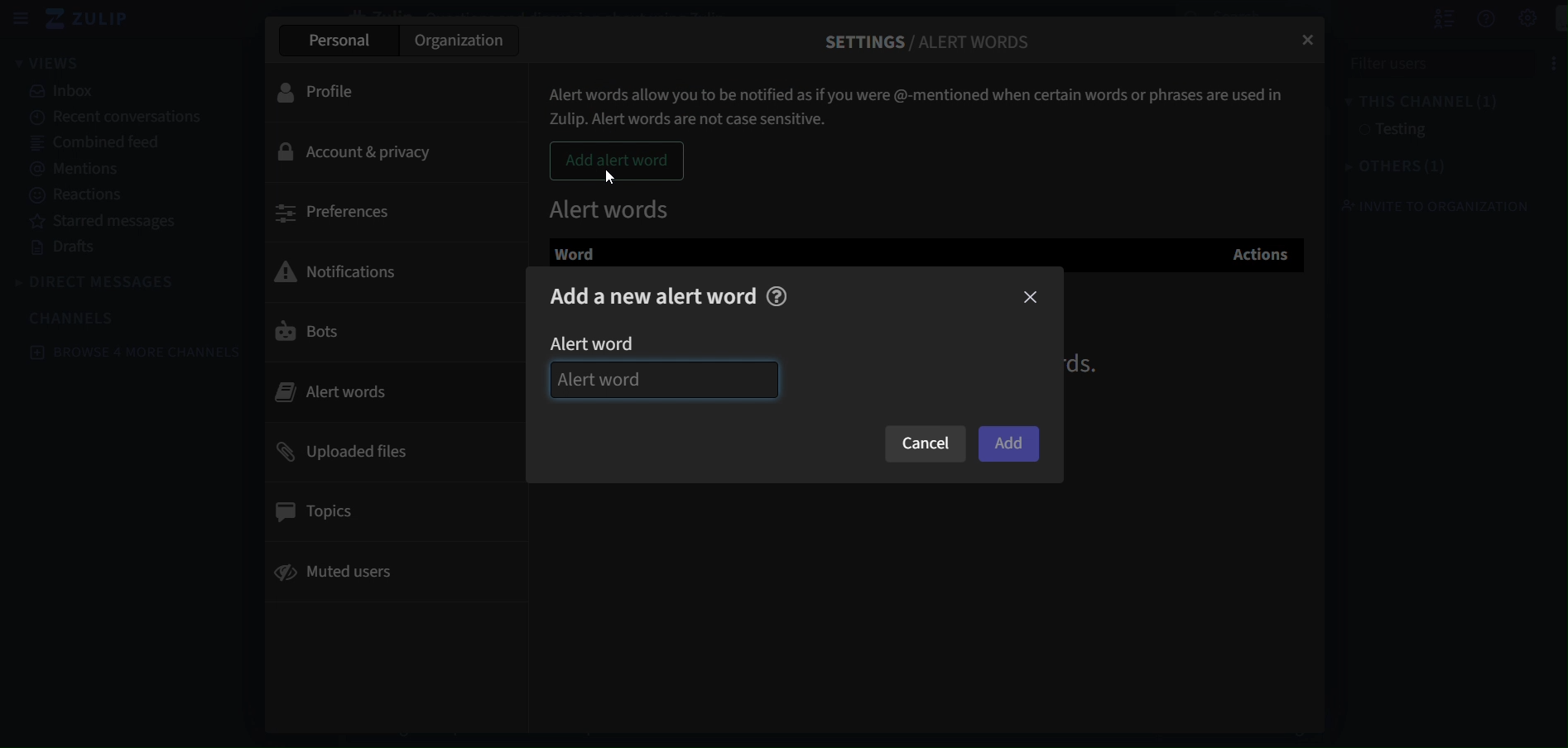 The width and height of the screenshot is (1568, 748). Describe the element at coordinates (346, 452) in the screenshot. I see `uploaded files` at that location.